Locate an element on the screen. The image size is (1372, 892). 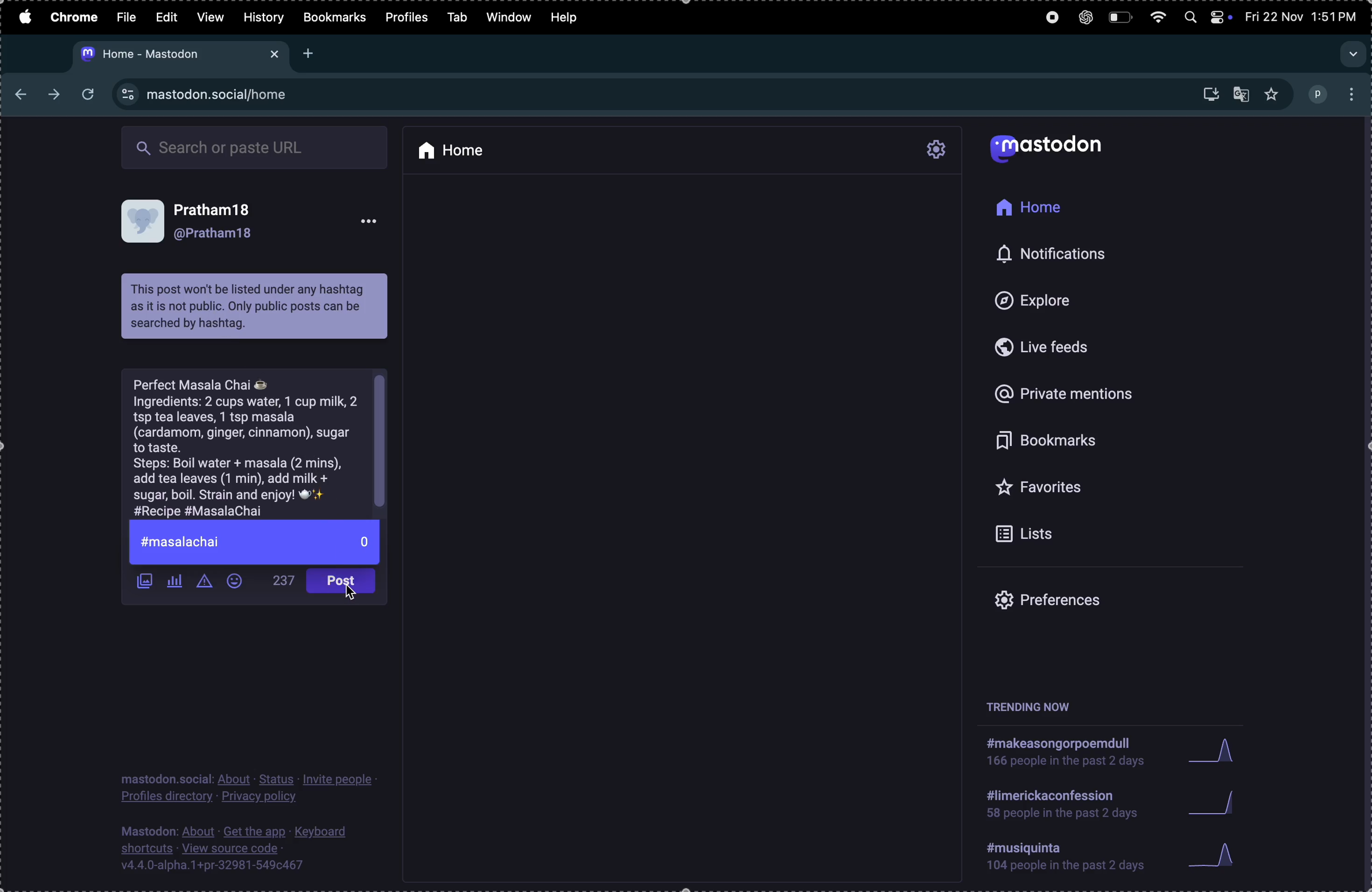
options is located at coordinates (1348, 92).